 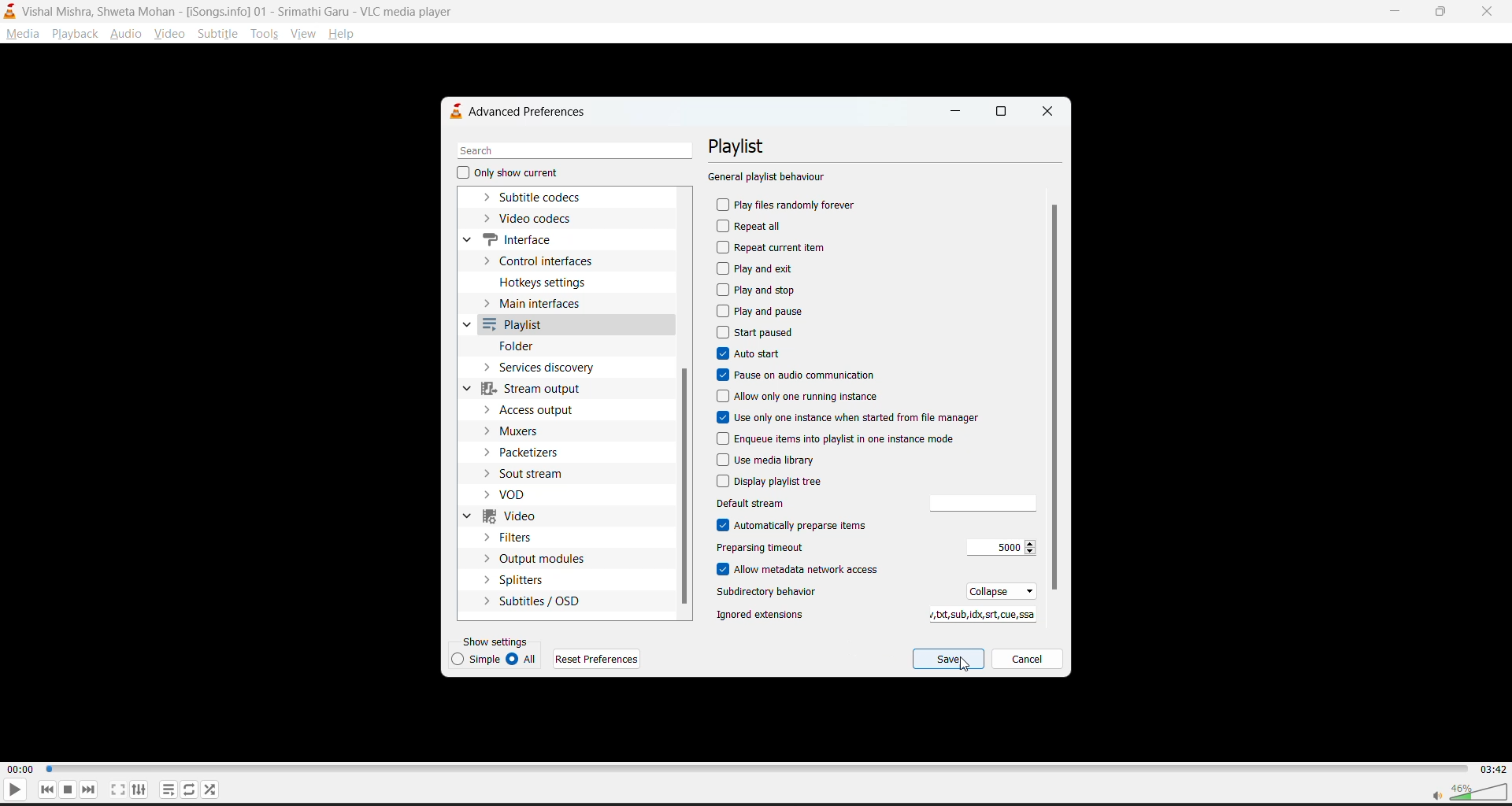 I want to click on maximize, so click(x=1444, y=12).